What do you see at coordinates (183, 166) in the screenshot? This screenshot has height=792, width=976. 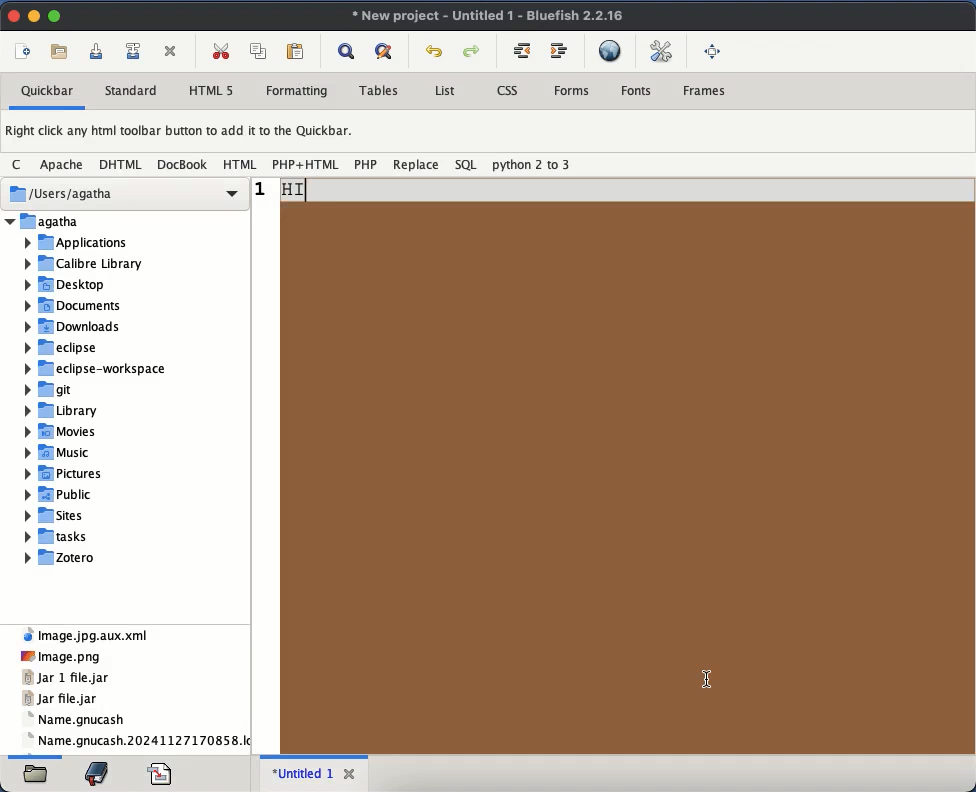 I see `docbook` at bounding box center [183, 166].